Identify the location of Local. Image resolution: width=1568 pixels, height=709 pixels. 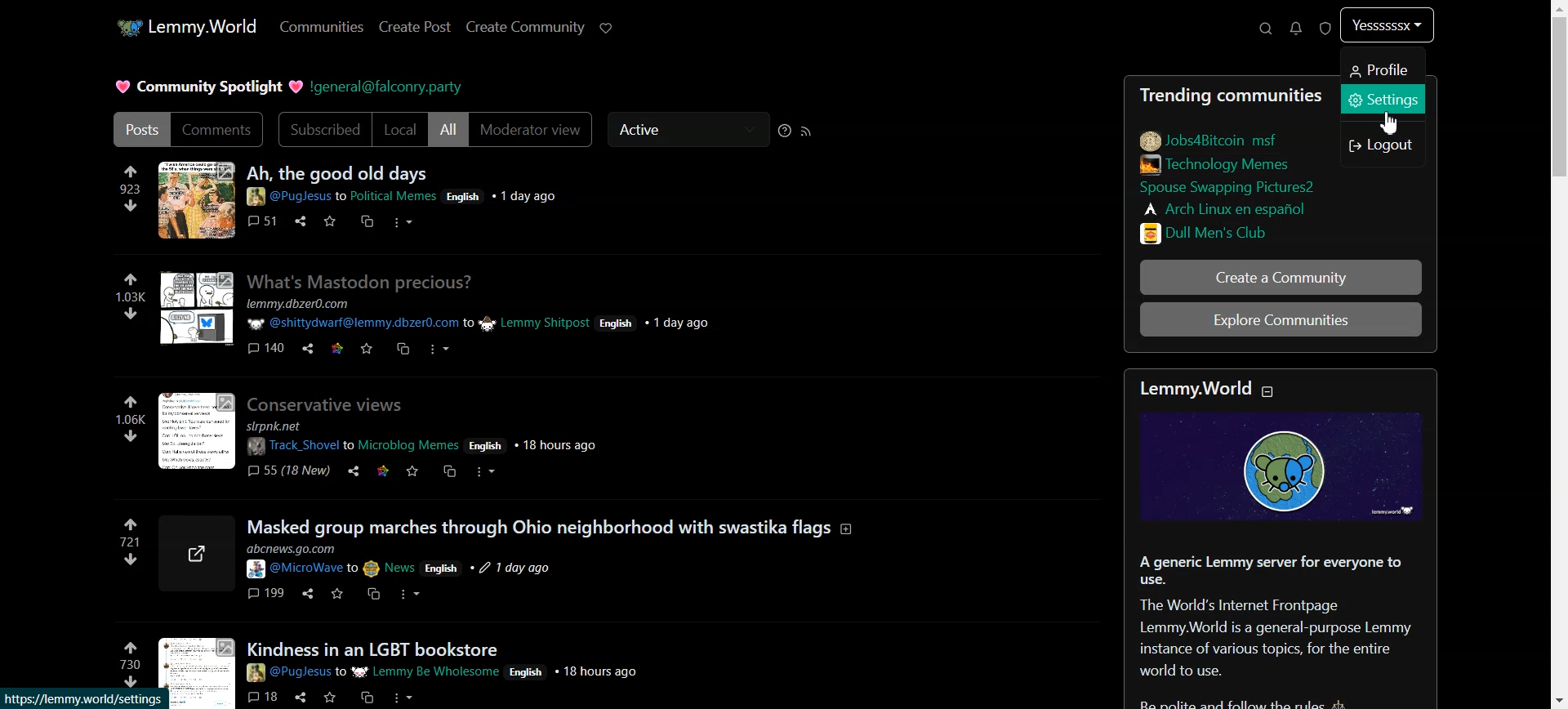
(401, 130).